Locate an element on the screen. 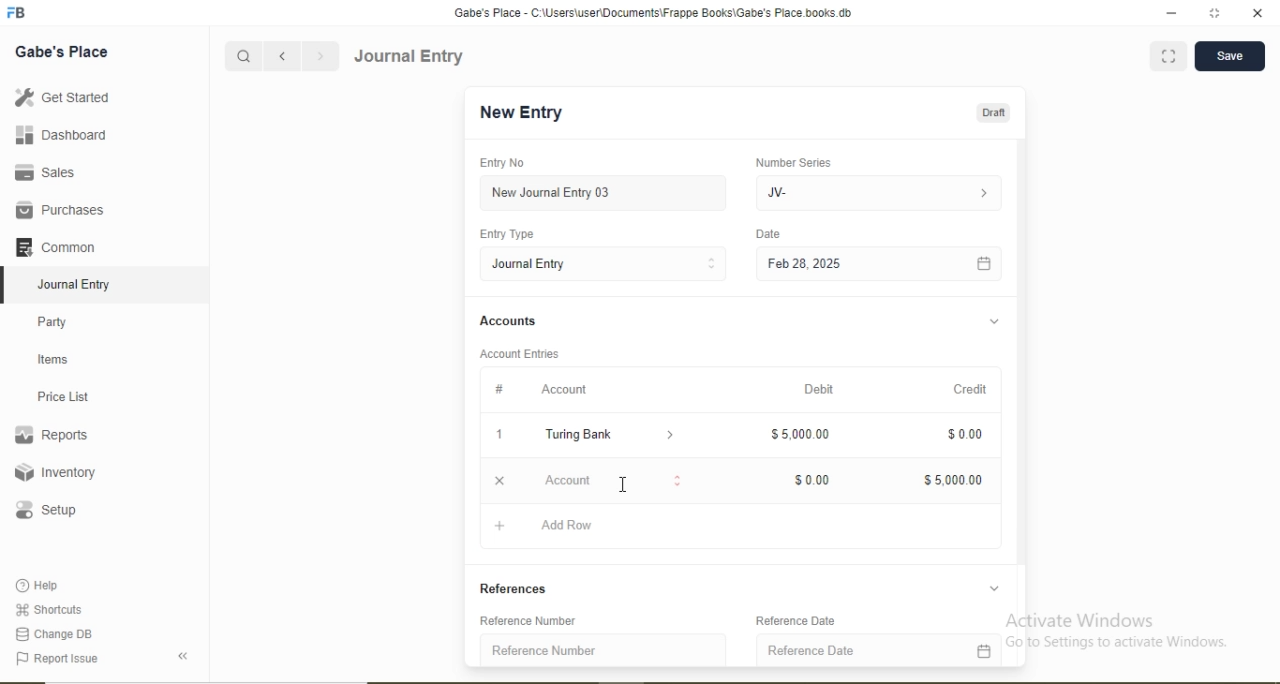 This screenshot has height=684, width=1280. Back is located at coordinates (182, 656).